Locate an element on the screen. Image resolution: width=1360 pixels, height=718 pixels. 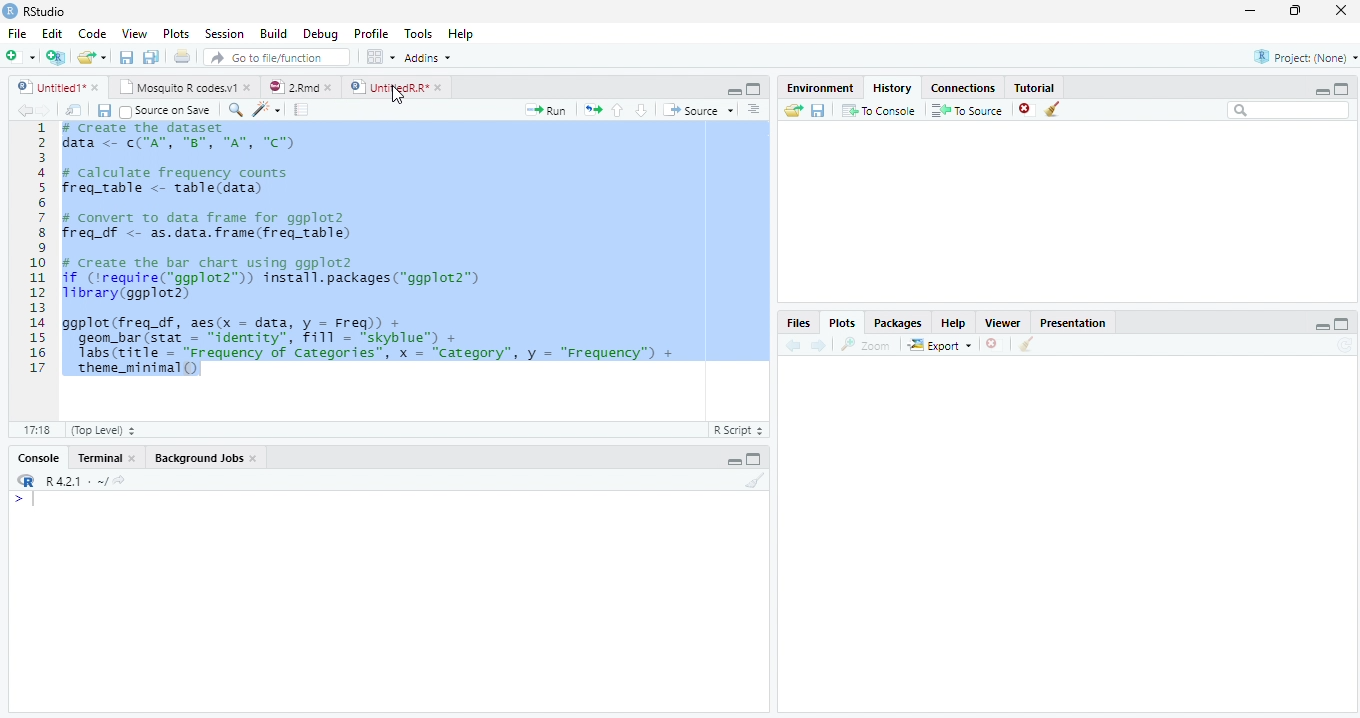
Help is located at coordinates (462, 33).